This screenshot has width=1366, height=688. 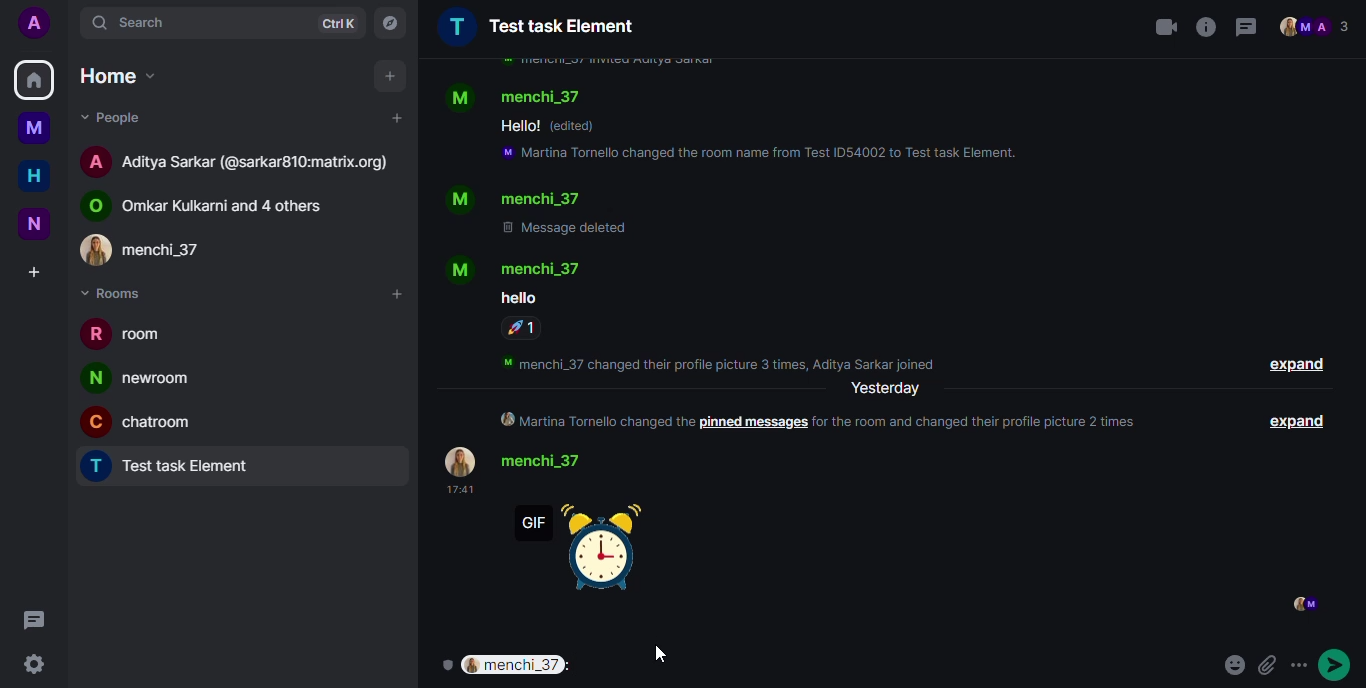 What do you see at coordinates (32, 661) in the screenshot?
I see `quick settings` at bounding box center [32, 661].